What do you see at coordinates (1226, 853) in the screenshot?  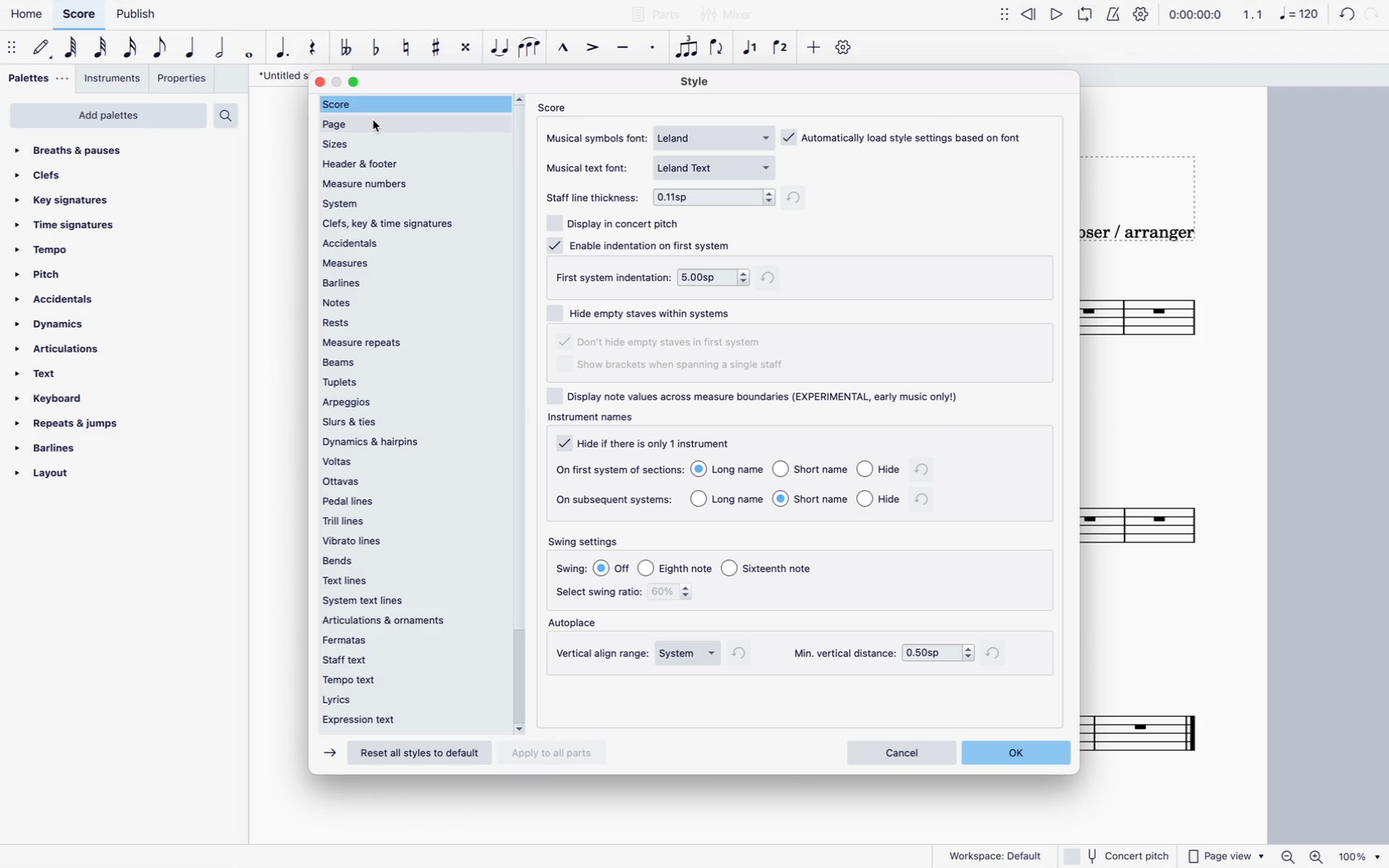 I see `page view` at bounding box center [1226, 853].